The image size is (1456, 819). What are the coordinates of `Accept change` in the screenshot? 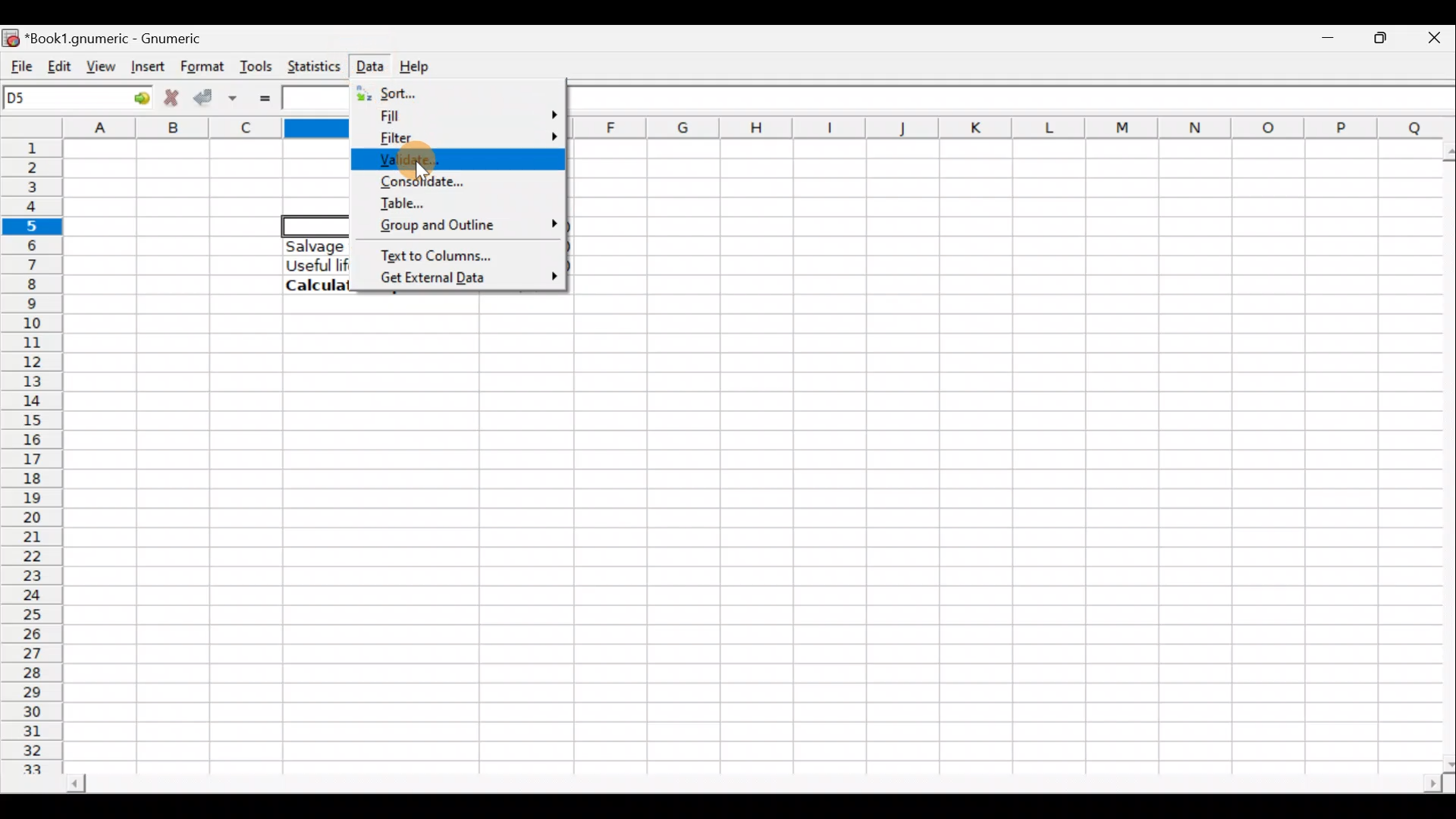 It's located at (215, 96).